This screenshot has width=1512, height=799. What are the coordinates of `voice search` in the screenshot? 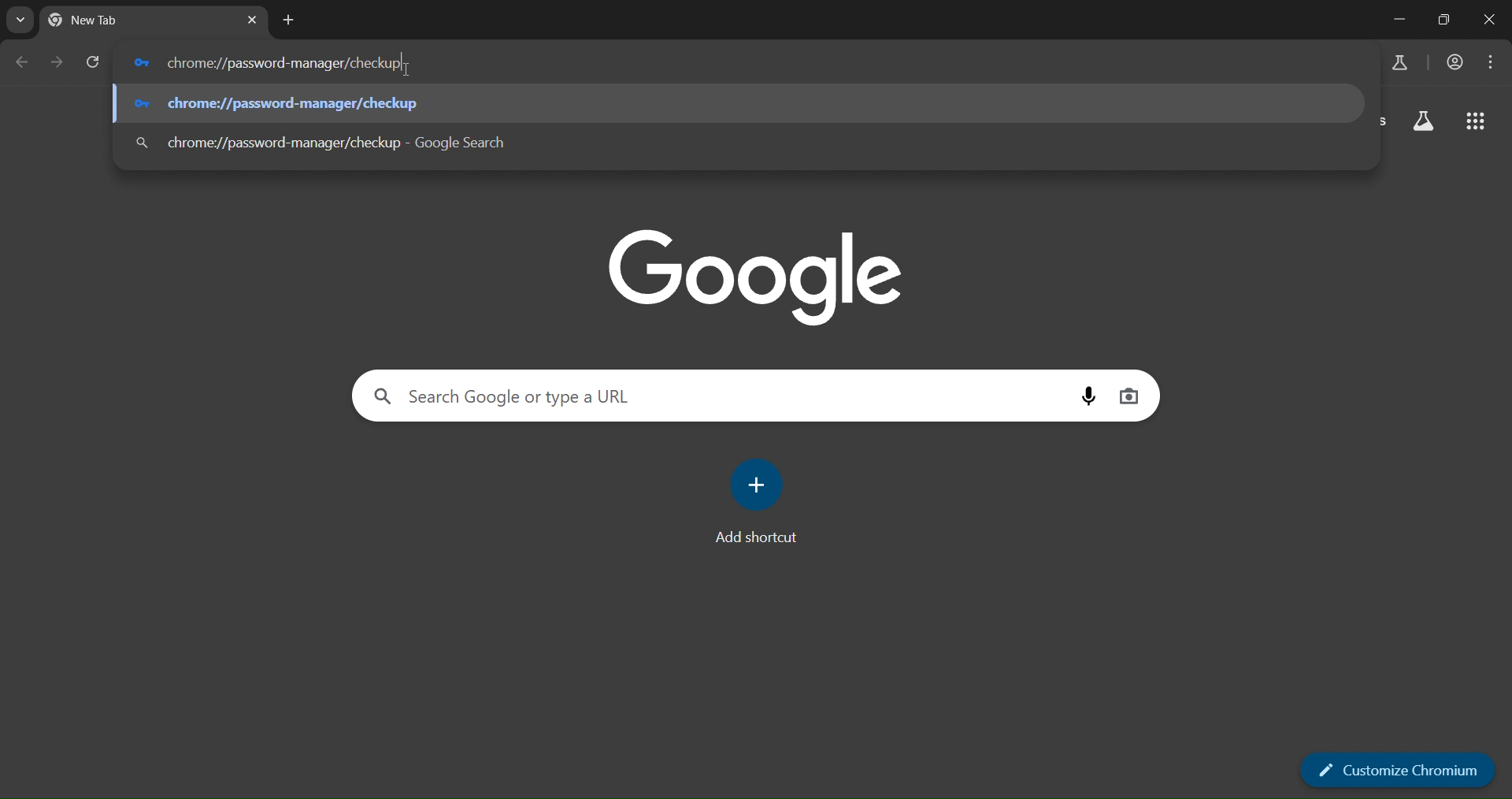 It's located at (1091, 396).